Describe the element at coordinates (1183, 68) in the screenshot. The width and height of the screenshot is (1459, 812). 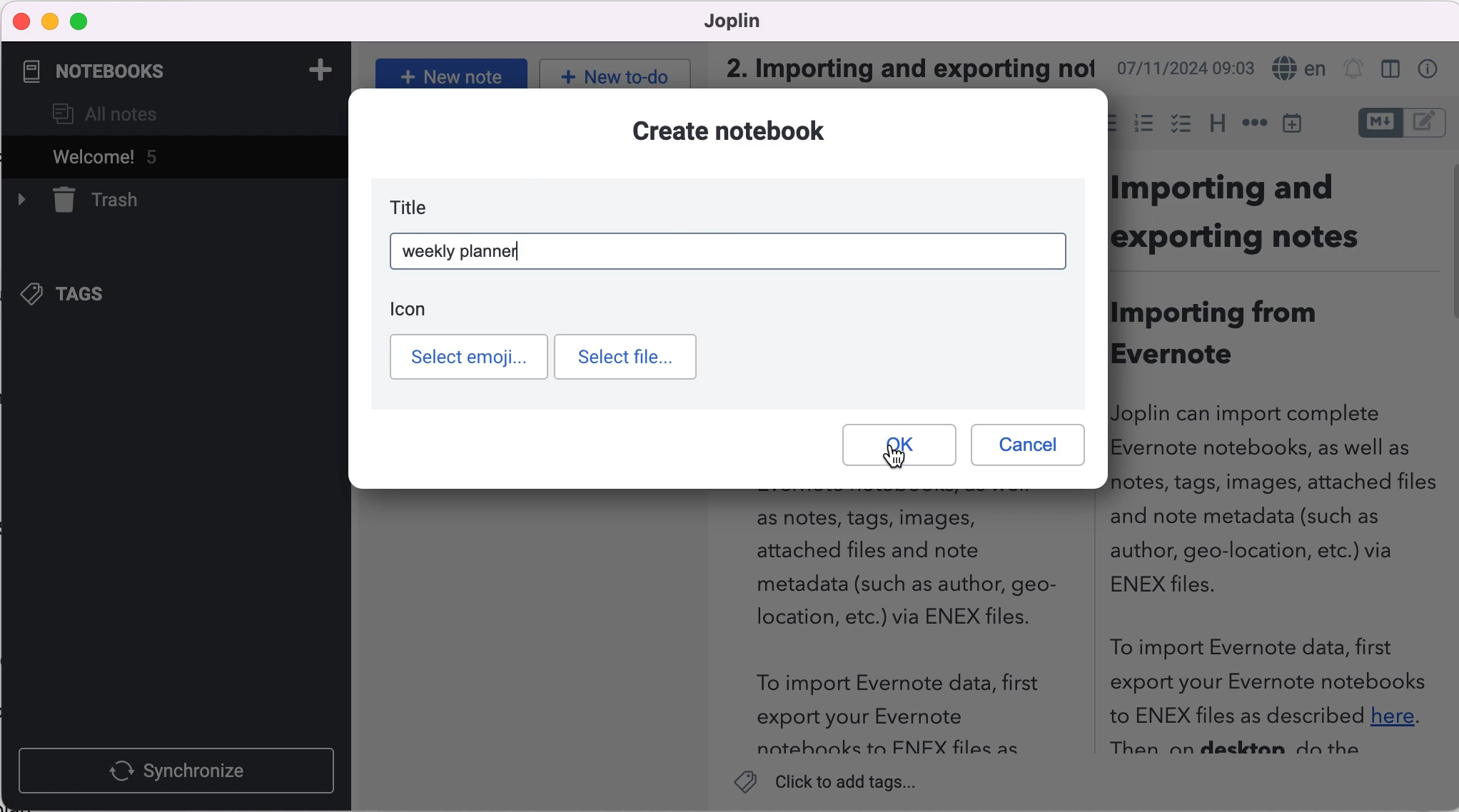
I see `07/11/2024 09:03` at that location.